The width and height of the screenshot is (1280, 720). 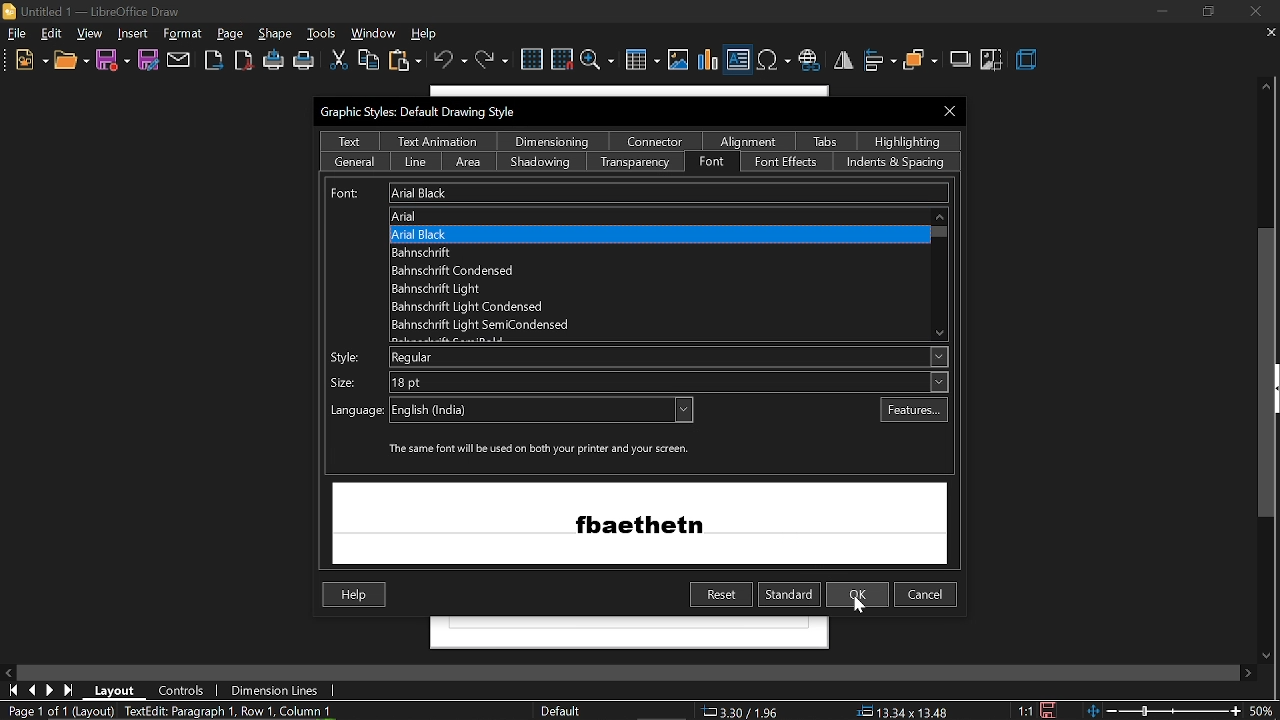 I want to click on language, so click(x=351, y=410).